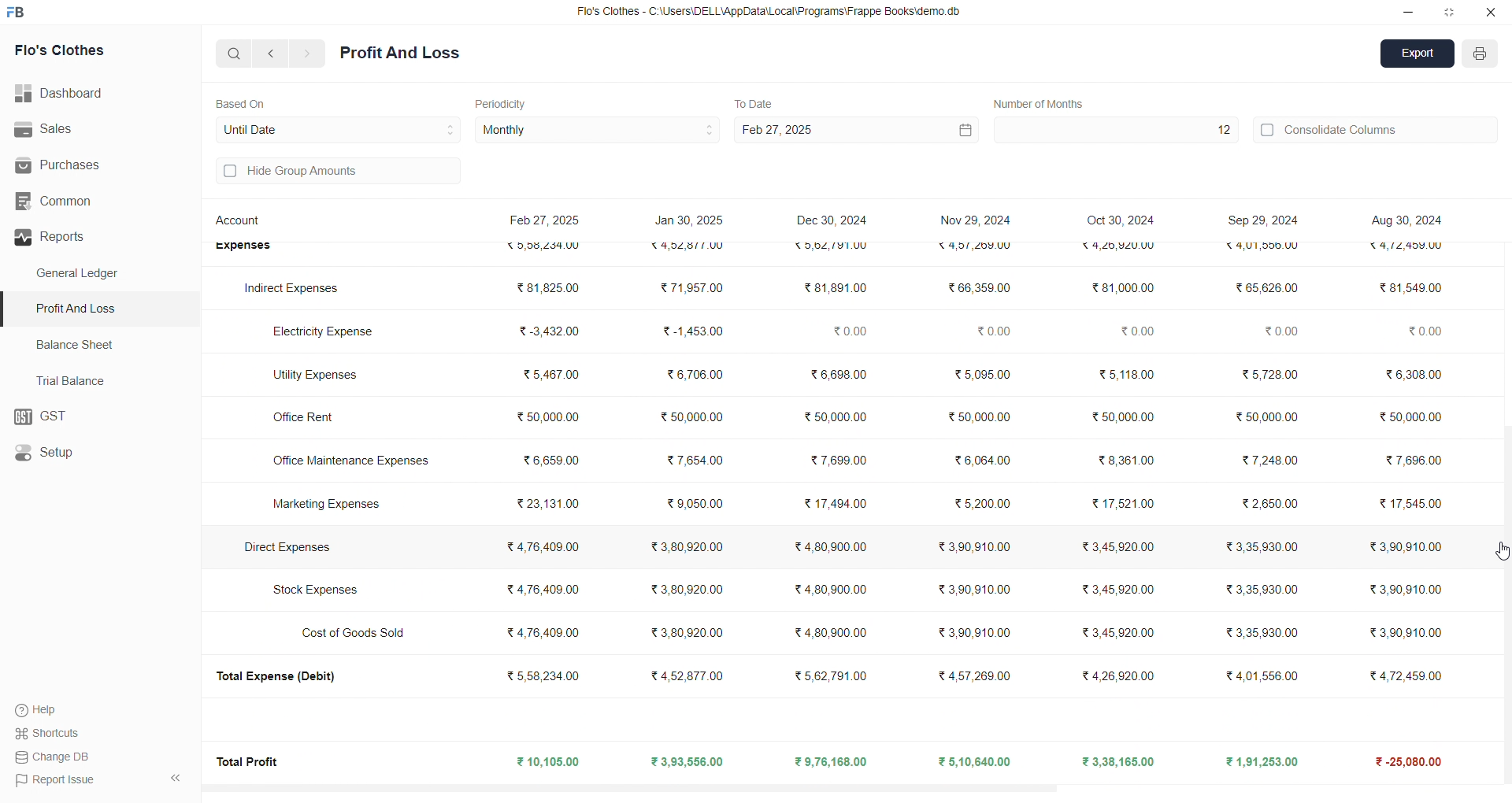 This screenshot has width=1512, height=803. I want to click on ₹3,93,566.00, so click(686, 762).